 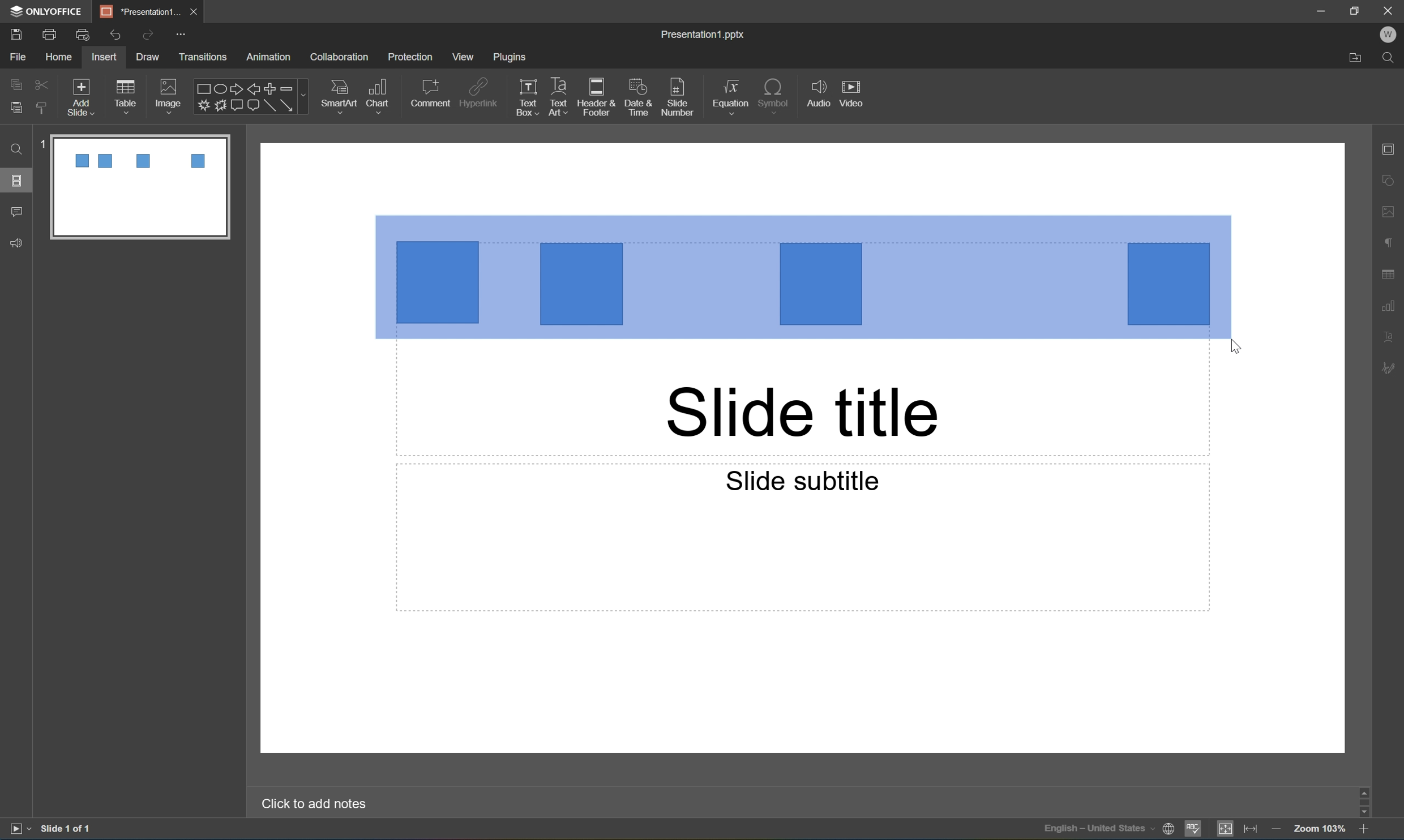 I want to click on 4 Squares area selected, so click(x=803, y=276).